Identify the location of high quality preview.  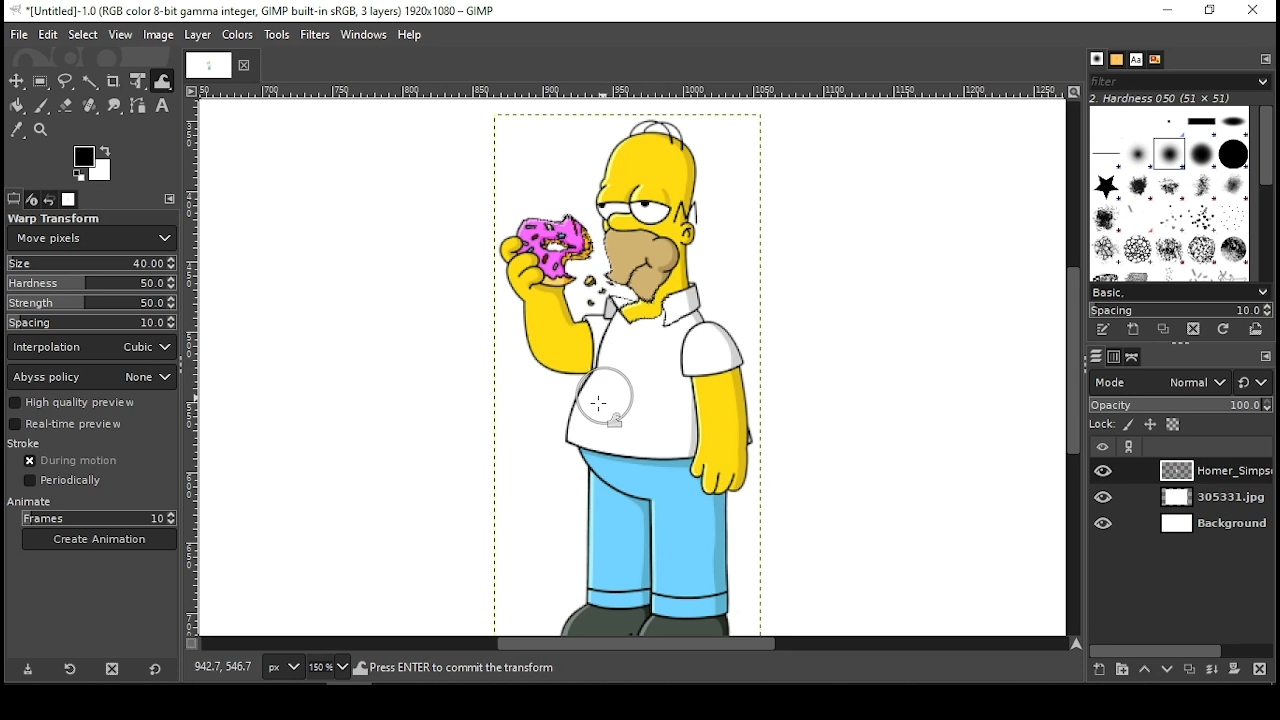
(93, 402).